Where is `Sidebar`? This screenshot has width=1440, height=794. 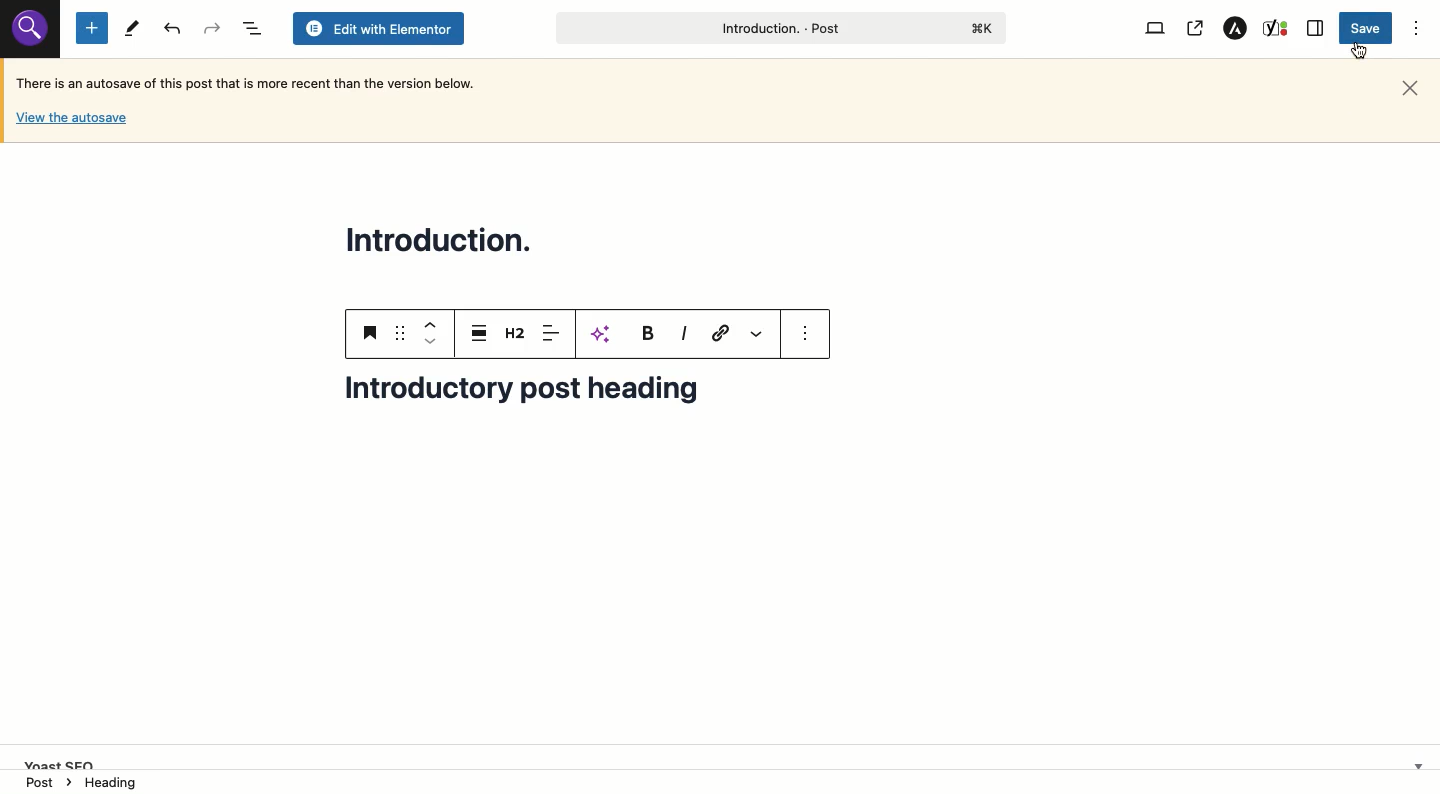 Sidebar is located at coordinates (1316, 28).